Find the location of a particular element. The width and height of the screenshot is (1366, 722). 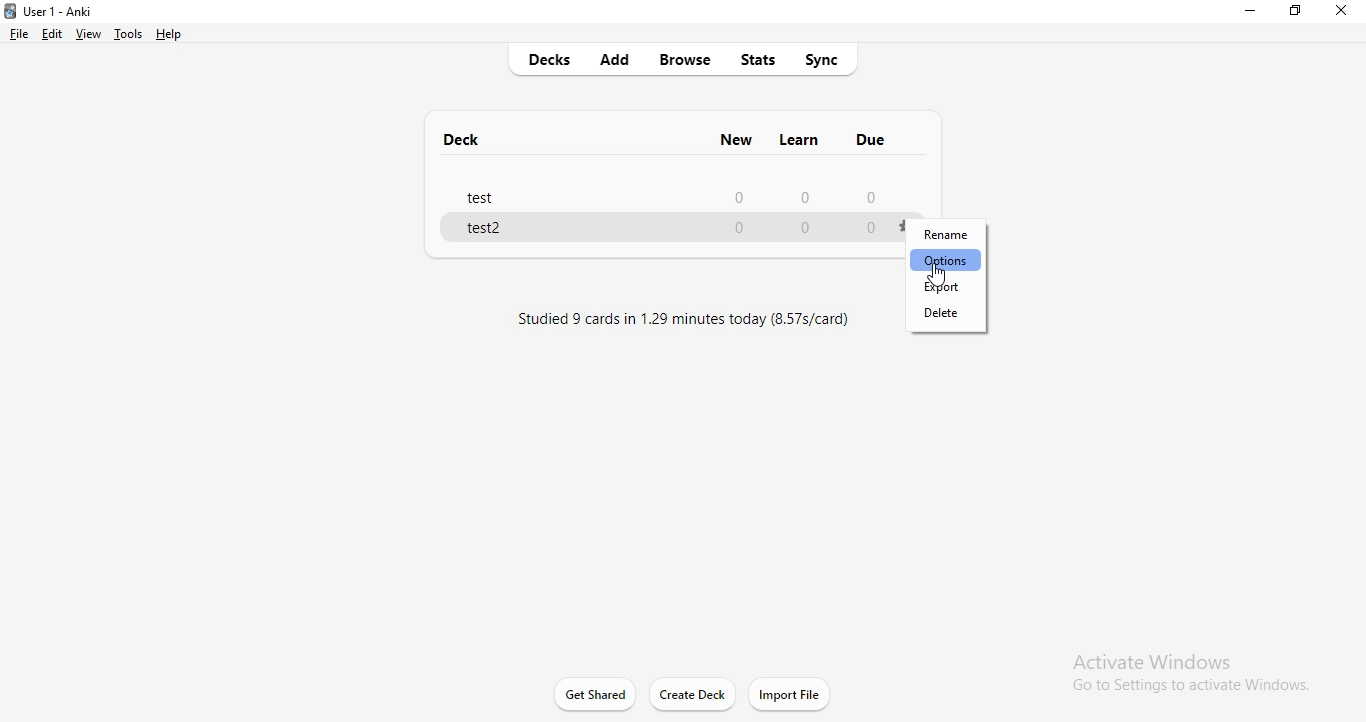

0 is located at coordinates (809, 229).